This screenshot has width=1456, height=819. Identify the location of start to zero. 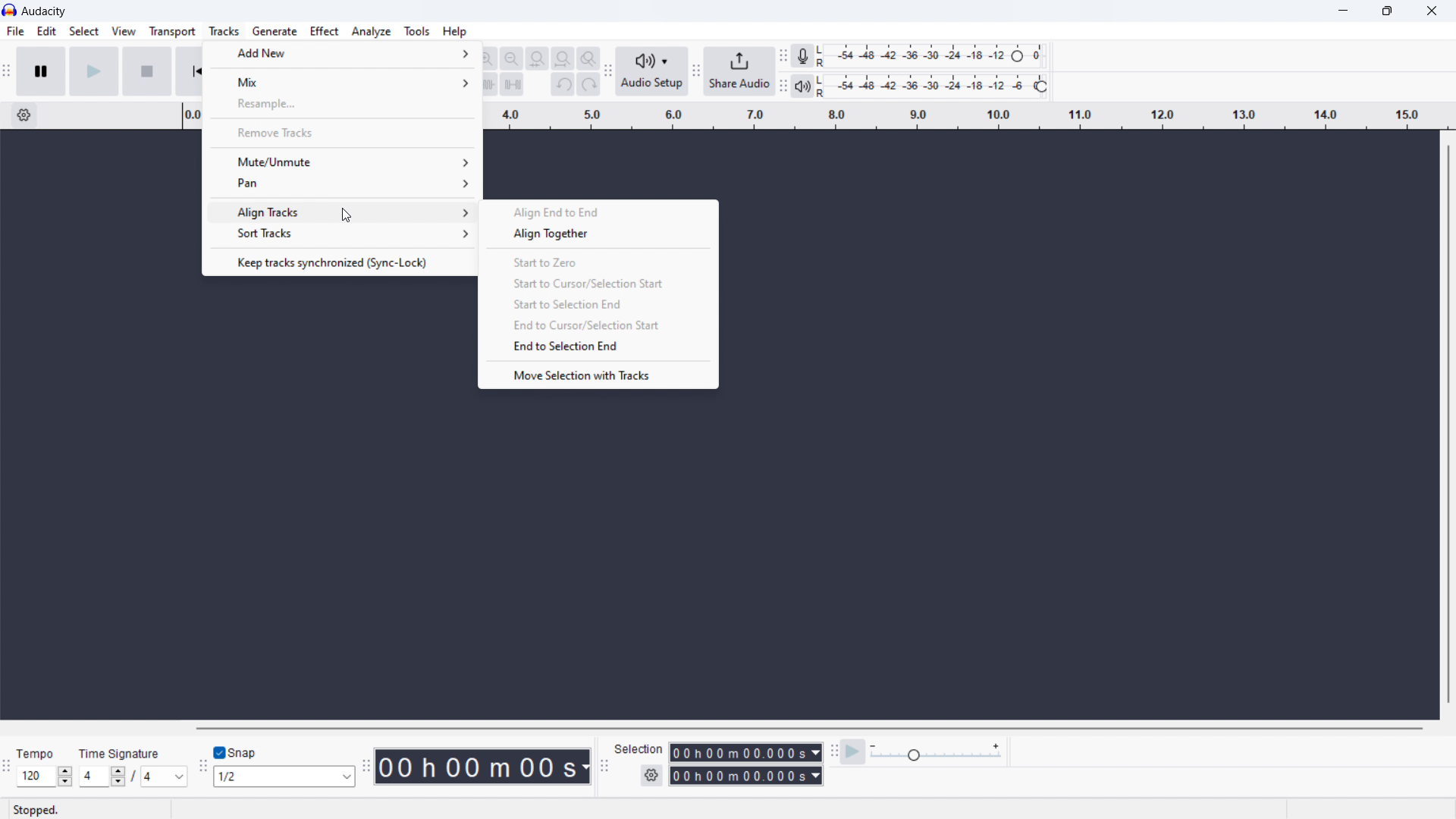
(601, 261).